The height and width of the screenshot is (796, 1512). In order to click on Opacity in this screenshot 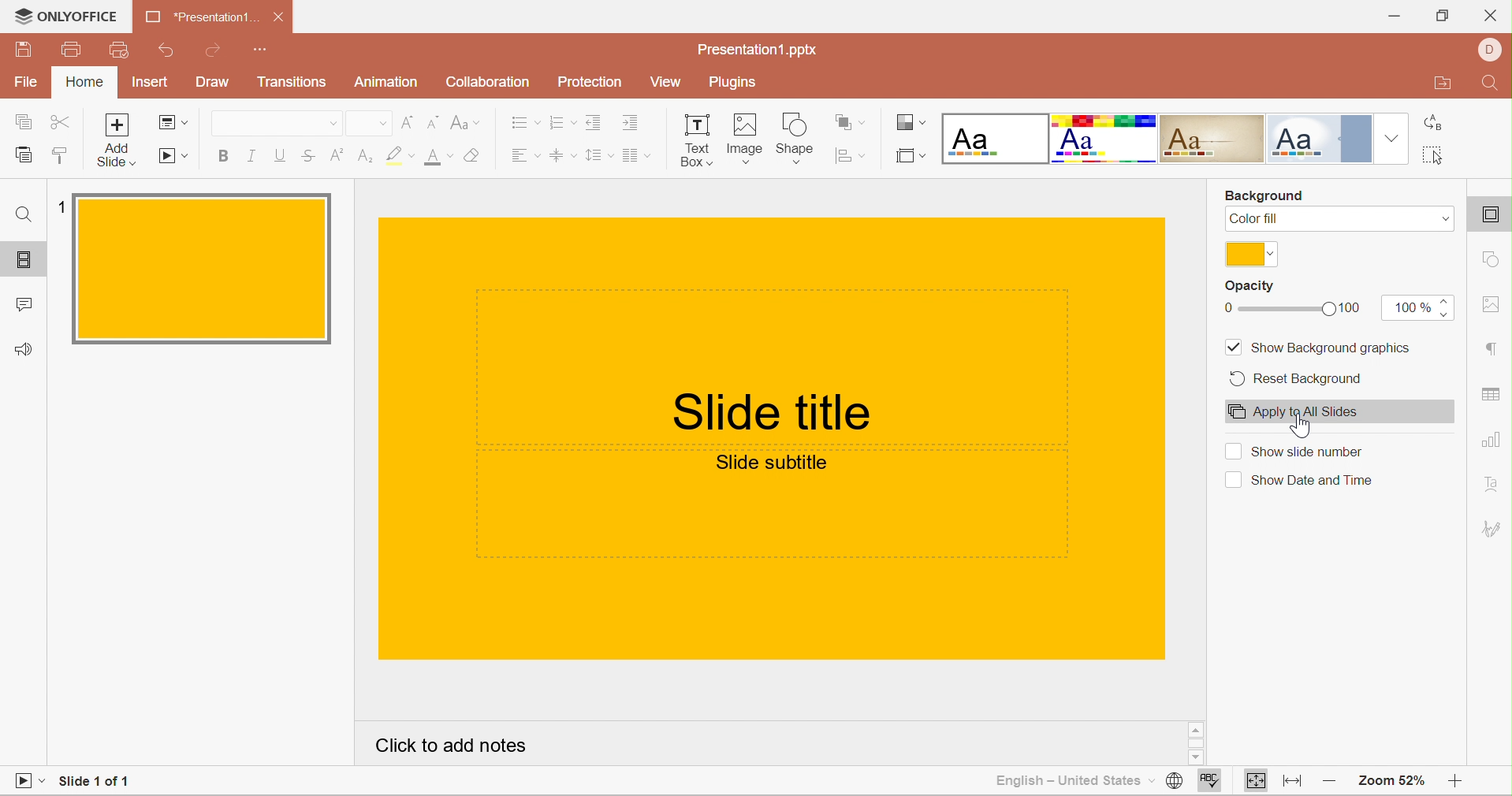, I will do `click(1253, 287)`.